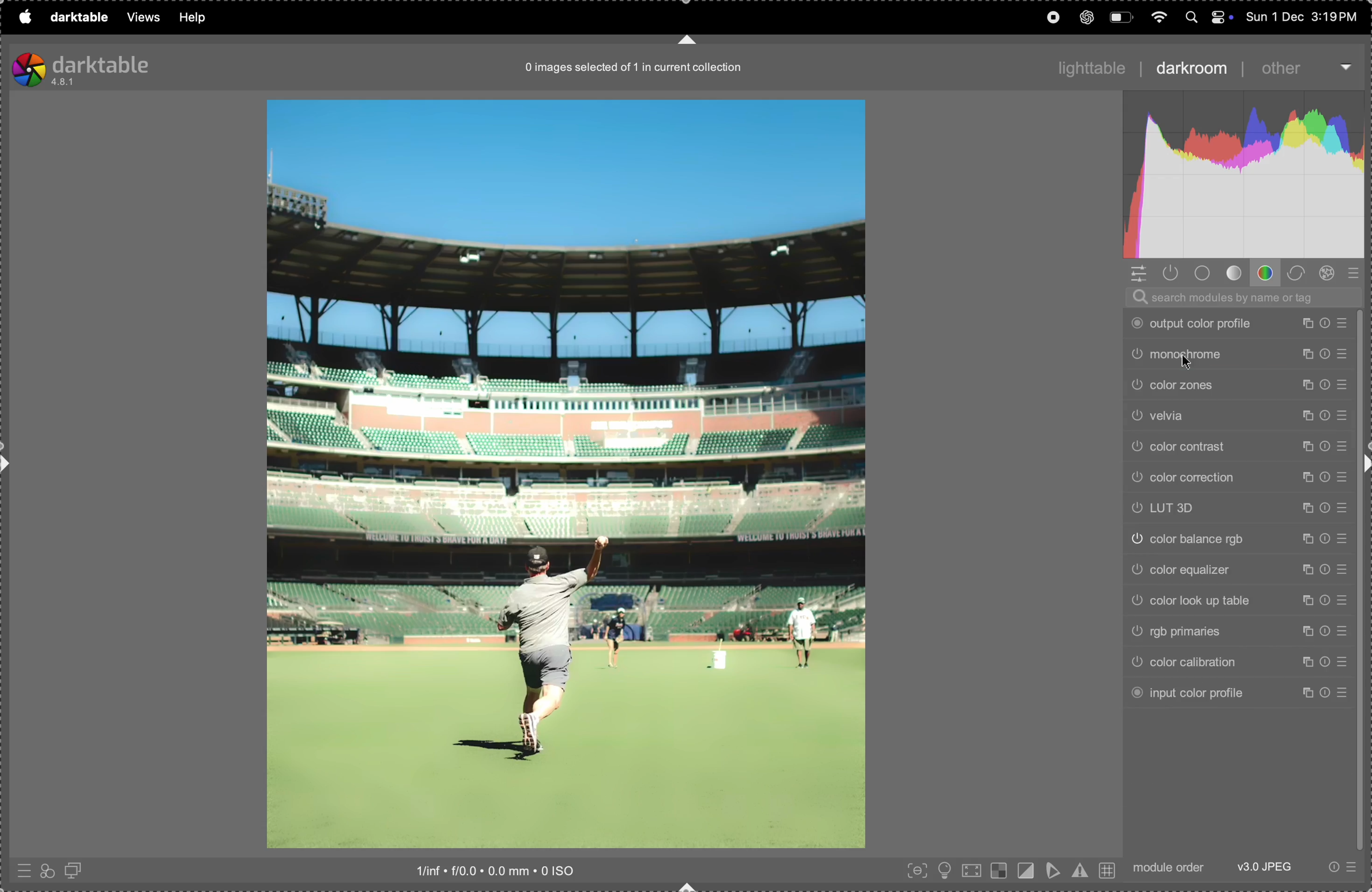 This screenshot has height=892, width=1372. What do you see at coordinates (1342, 866) in the screenshot?
I see `options` at bounding box center [1342, 866].